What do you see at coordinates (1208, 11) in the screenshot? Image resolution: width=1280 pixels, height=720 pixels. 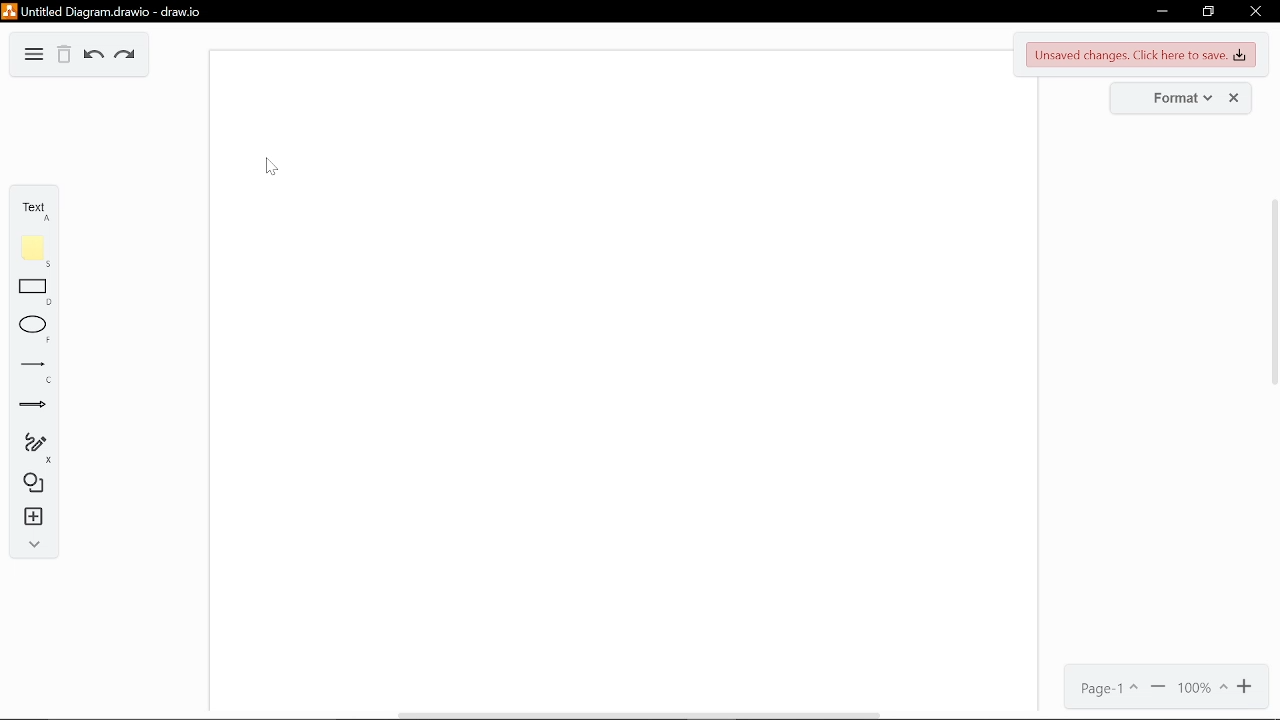 I see `restore down` at bounding box center [1208, 11].